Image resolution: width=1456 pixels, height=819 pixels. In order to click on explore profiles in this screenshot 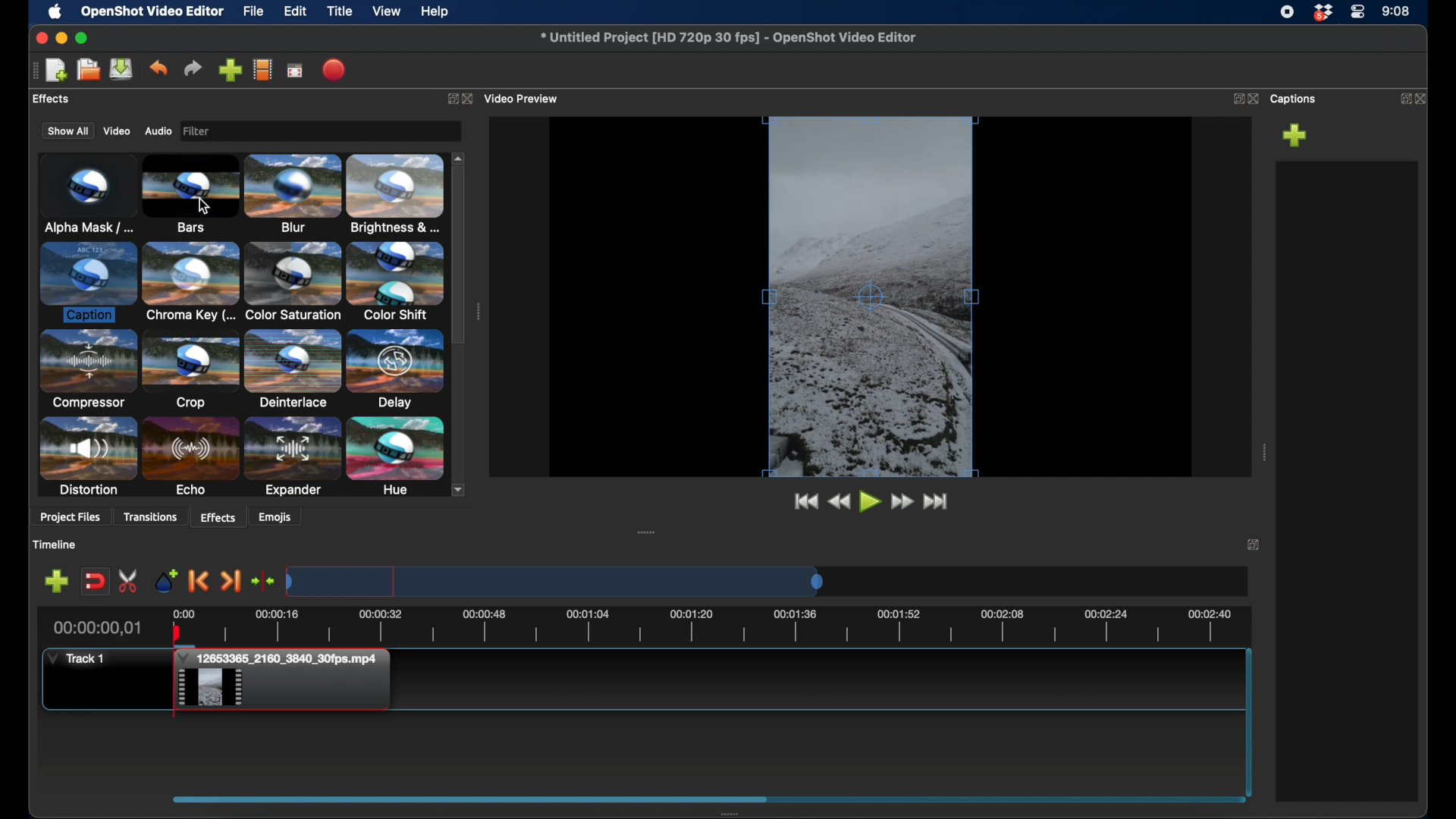, I will do `click(263, 70)`.